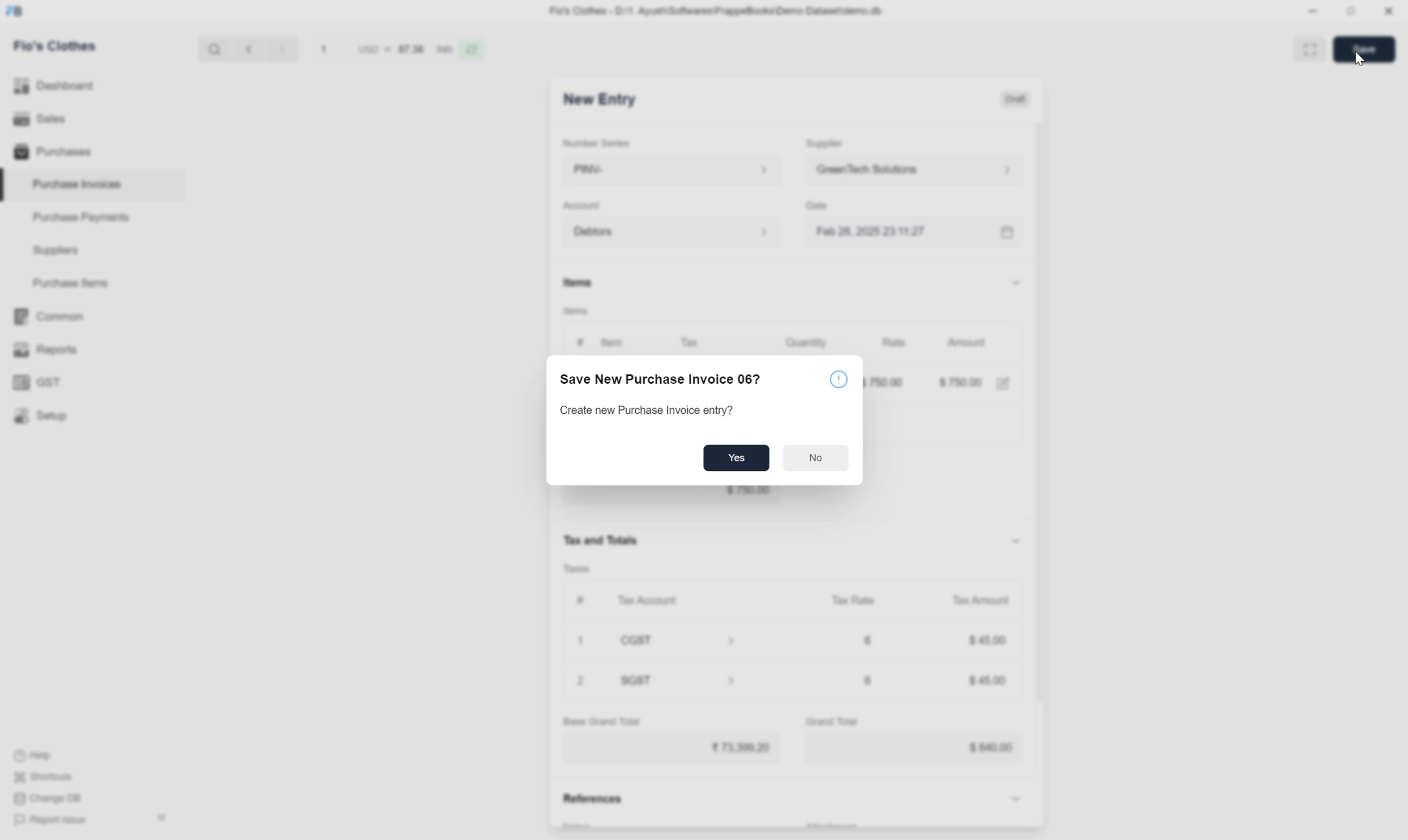  I want to click on Create new Purchase Invoice entry?, so click(647, 411).